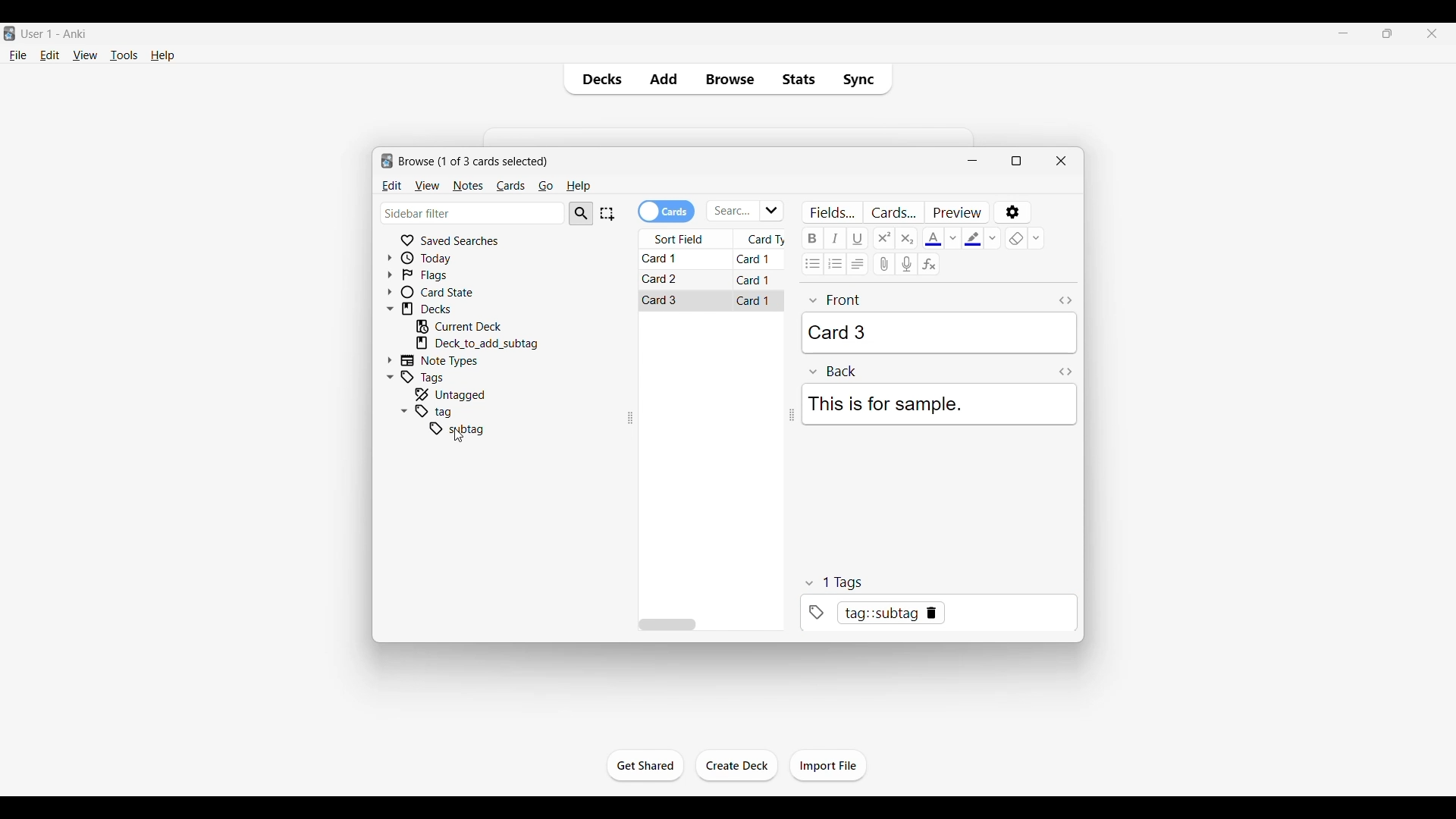 The width and height of the screenshot is (1456, 819). I want to click on Underline text, so click(858, 238).